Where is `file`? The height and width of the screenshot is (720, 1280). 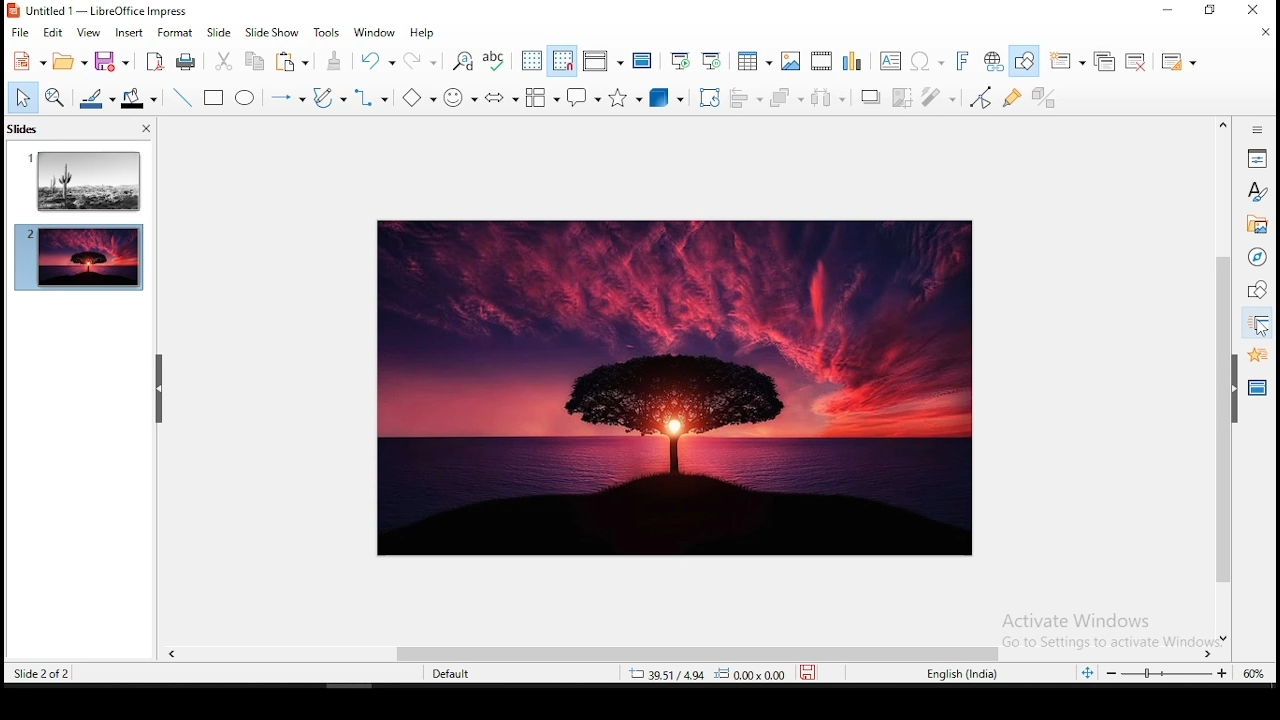
file is located at coordinates (20, 33).